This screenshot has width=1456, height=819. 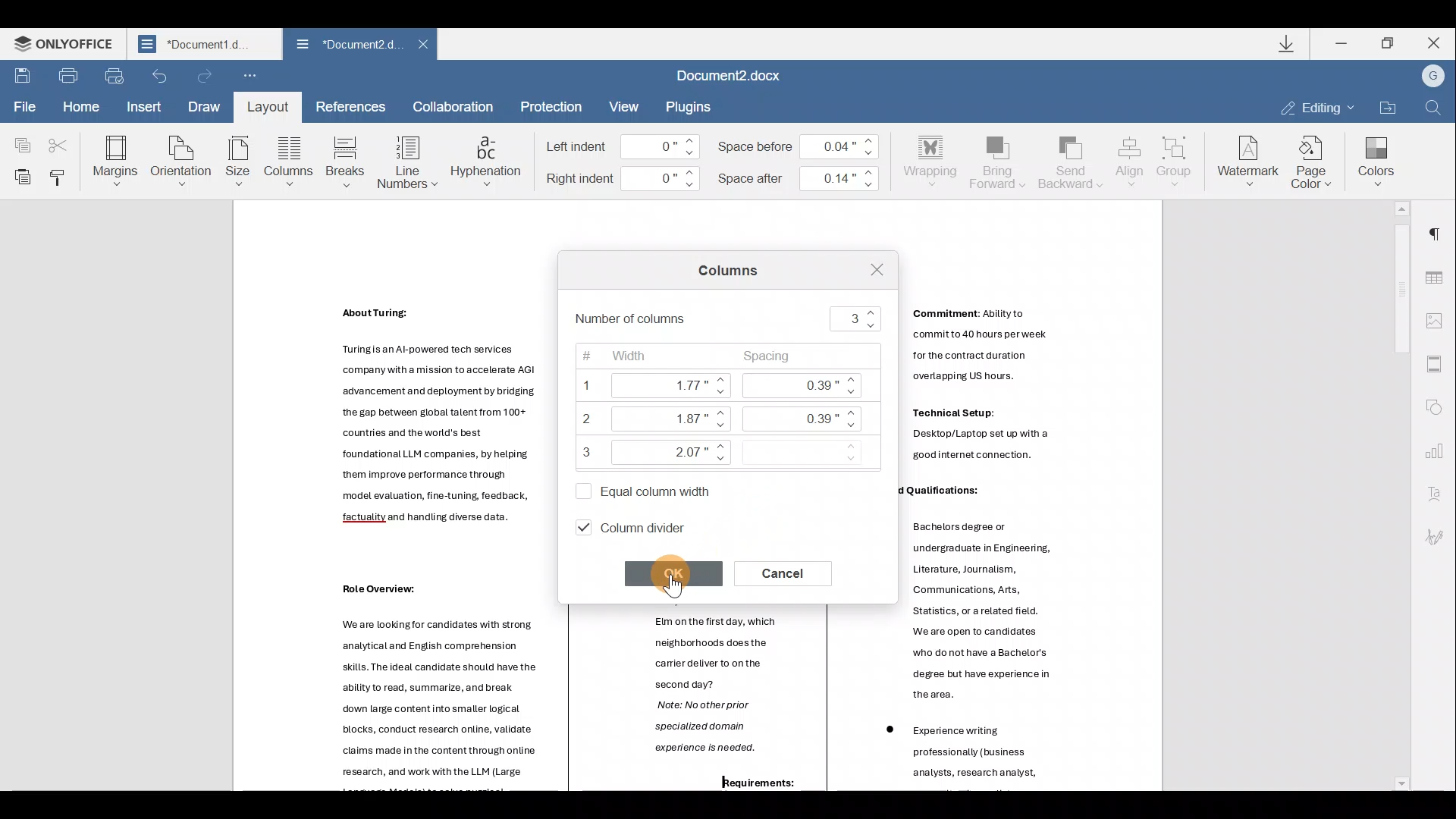 What do you see at coordinates (238, 162) in the screenshot?
I see `Size` at bounding box center [238, 162].